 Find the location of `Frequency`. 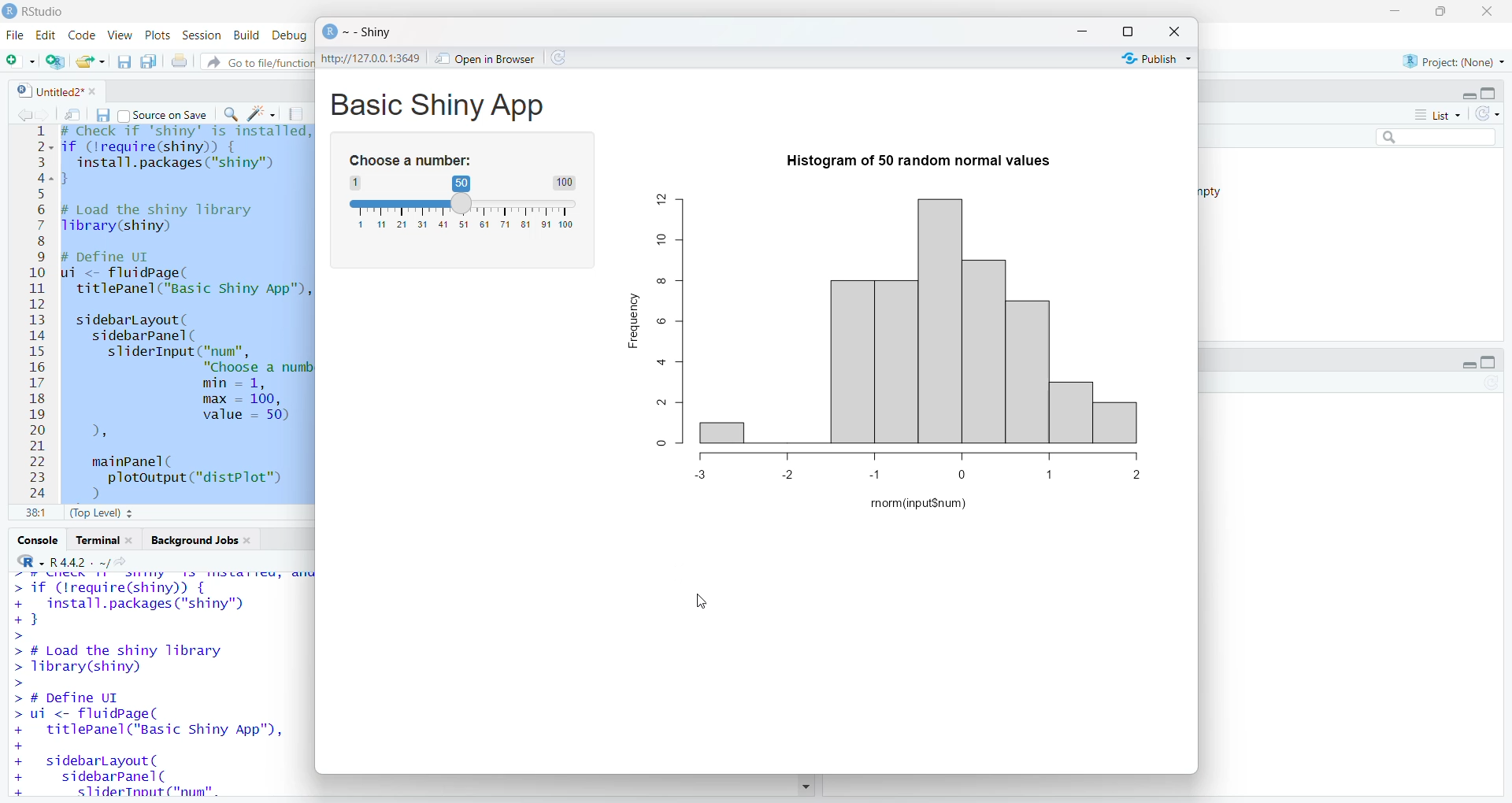

Frequency is located at coordinates (631, 320).